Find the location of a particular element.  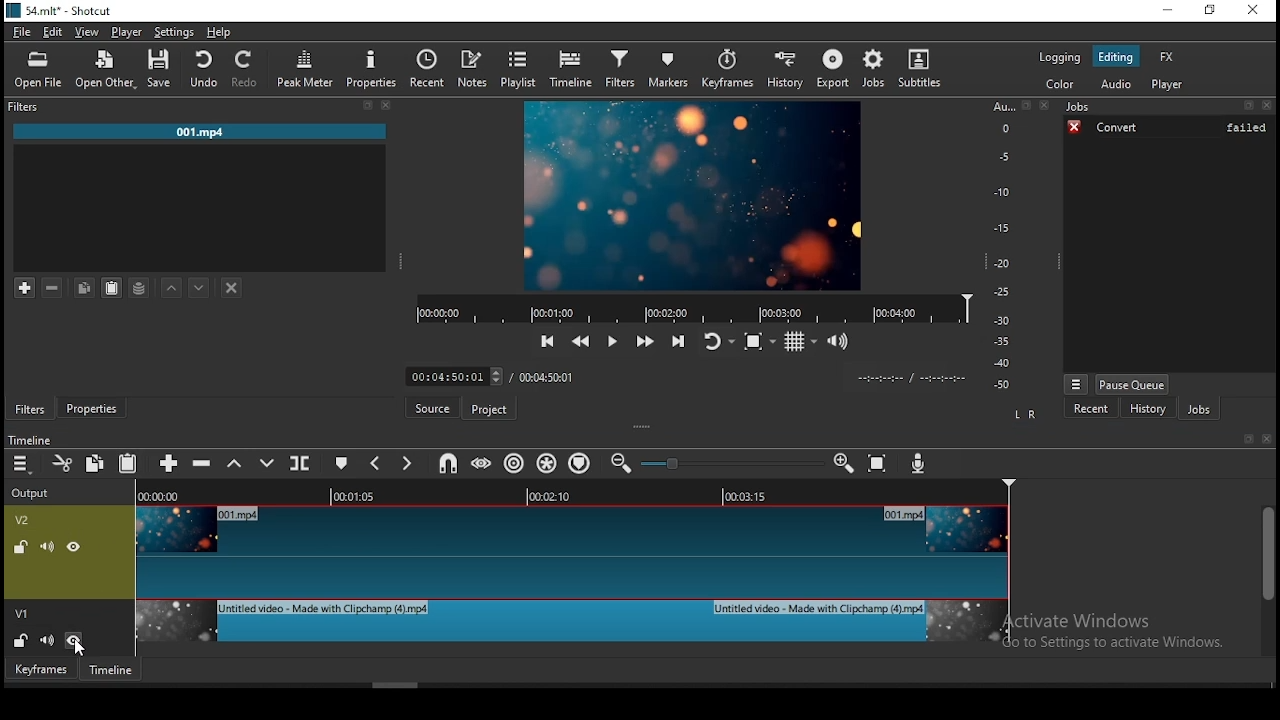

video track v1 is located at coordinates (571, 630).